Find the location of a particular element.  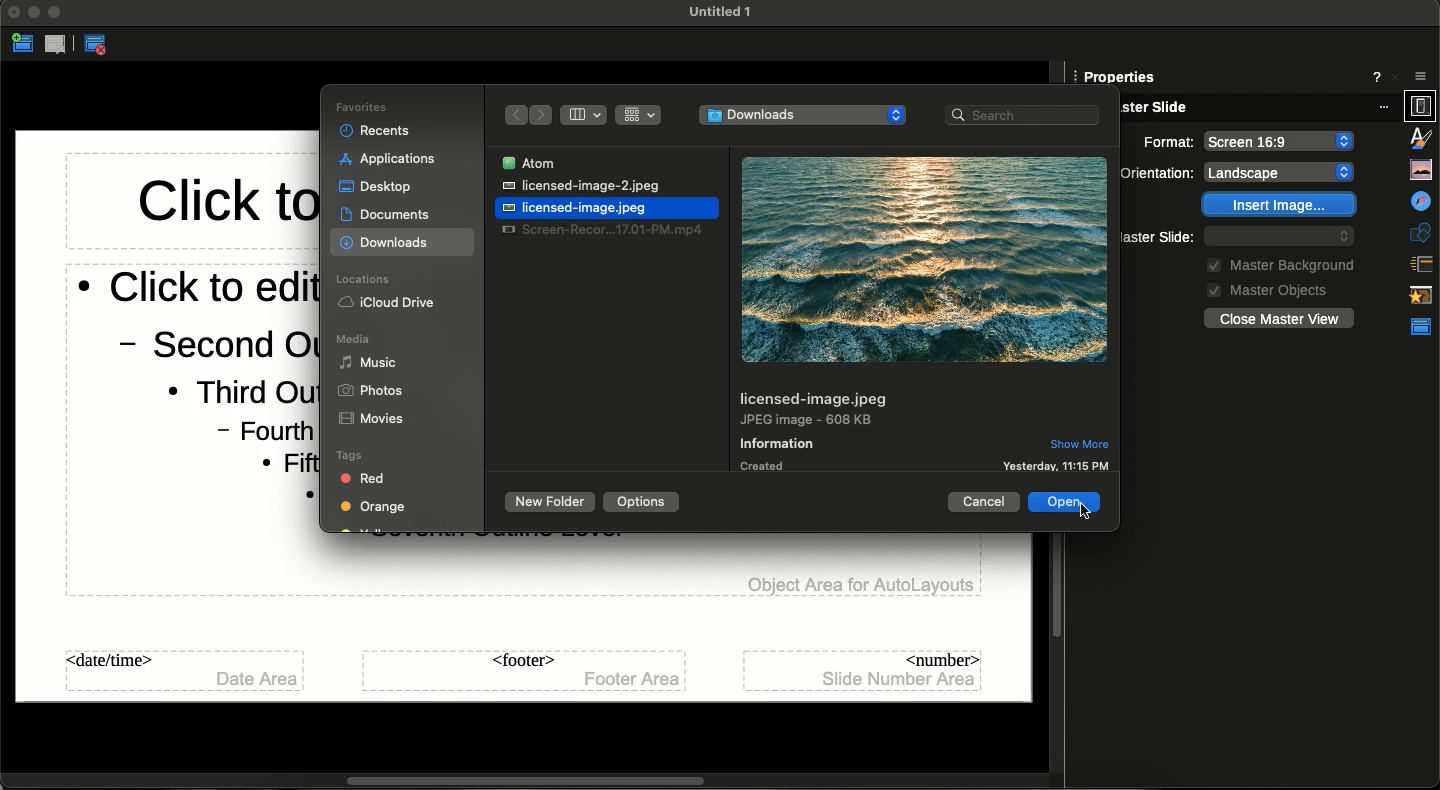

Orange is located at coordinates (372, 508).